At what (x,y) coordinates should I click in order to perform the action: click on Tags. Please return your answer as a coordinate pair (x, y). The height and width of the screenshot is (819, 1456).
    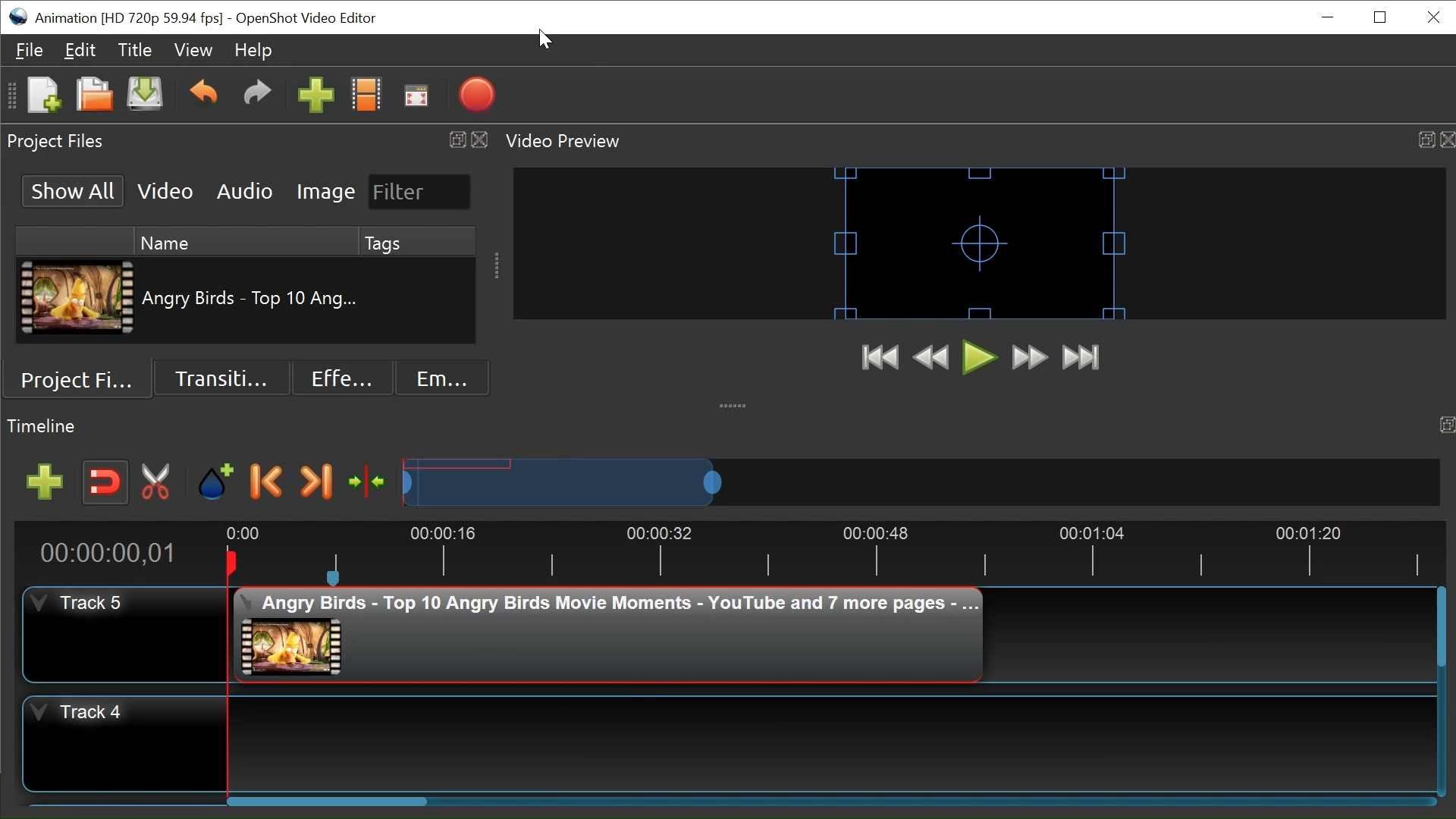
    Looking at the image, I should click on (417, 242).